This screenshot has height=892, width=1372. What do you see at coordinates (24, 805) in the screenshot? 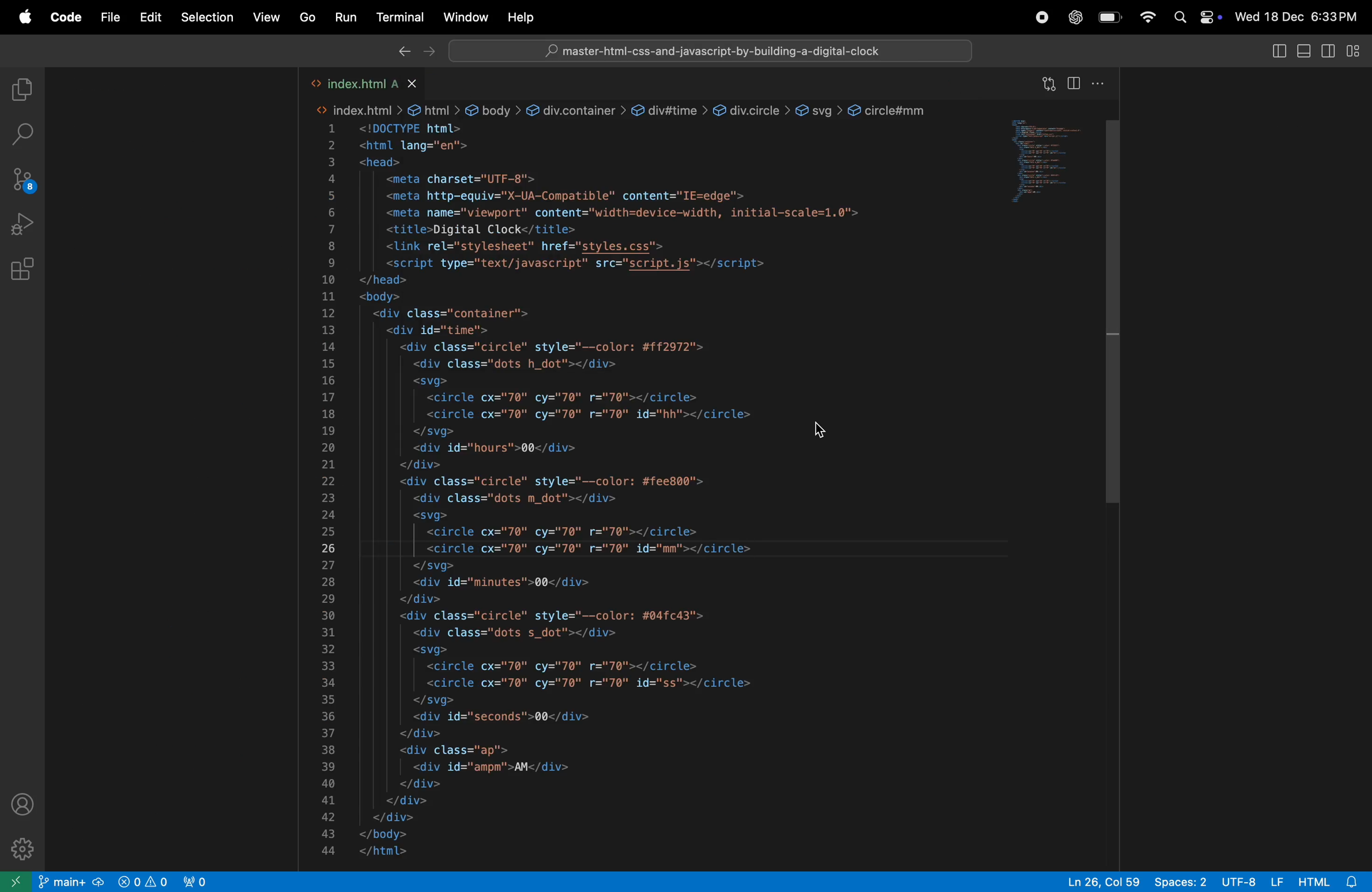
I see `profile` at bounding box center [24, 805].